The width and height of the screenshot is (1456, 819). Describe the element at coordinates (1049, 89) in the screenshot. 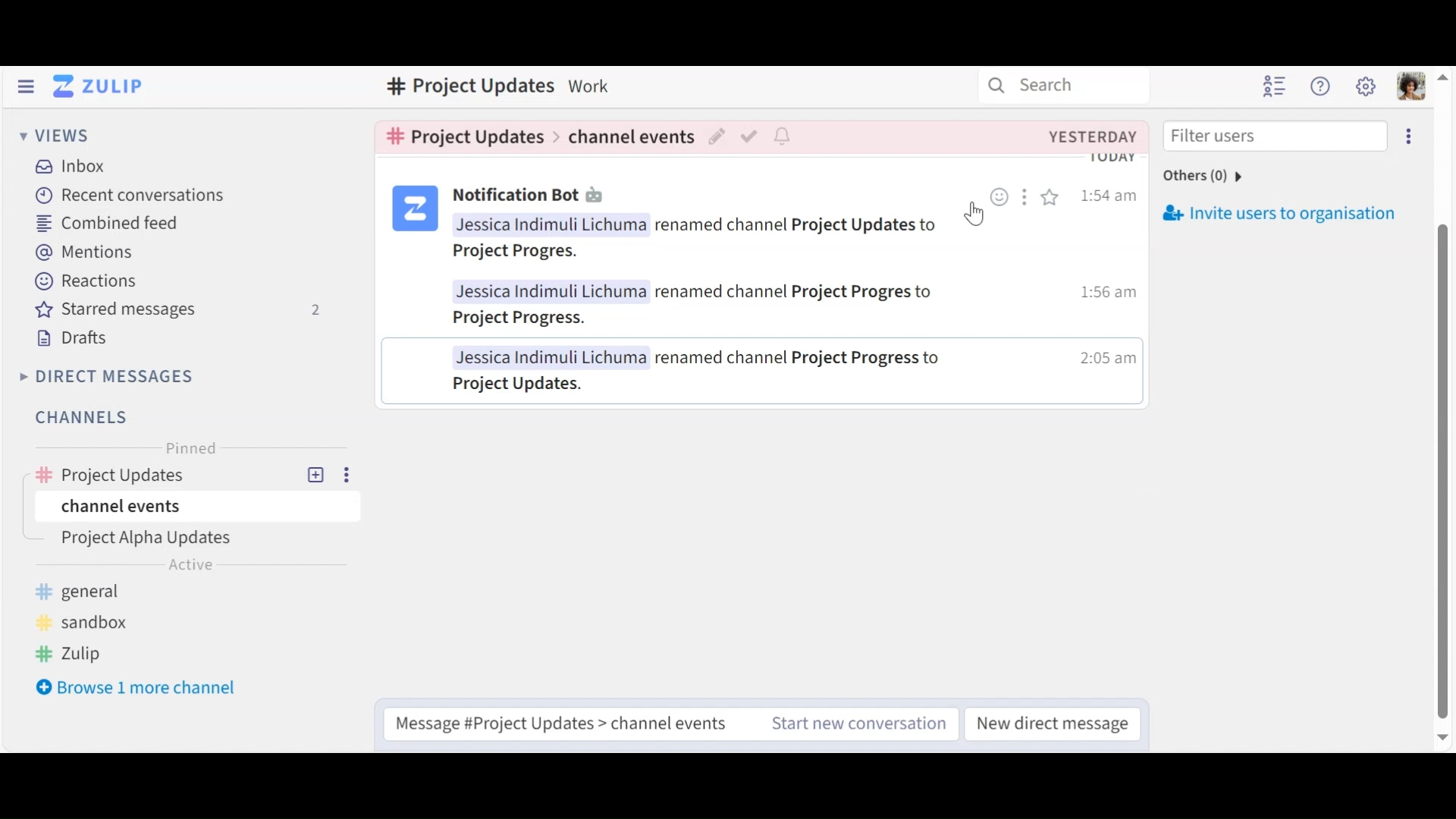

I see `search` at that location.